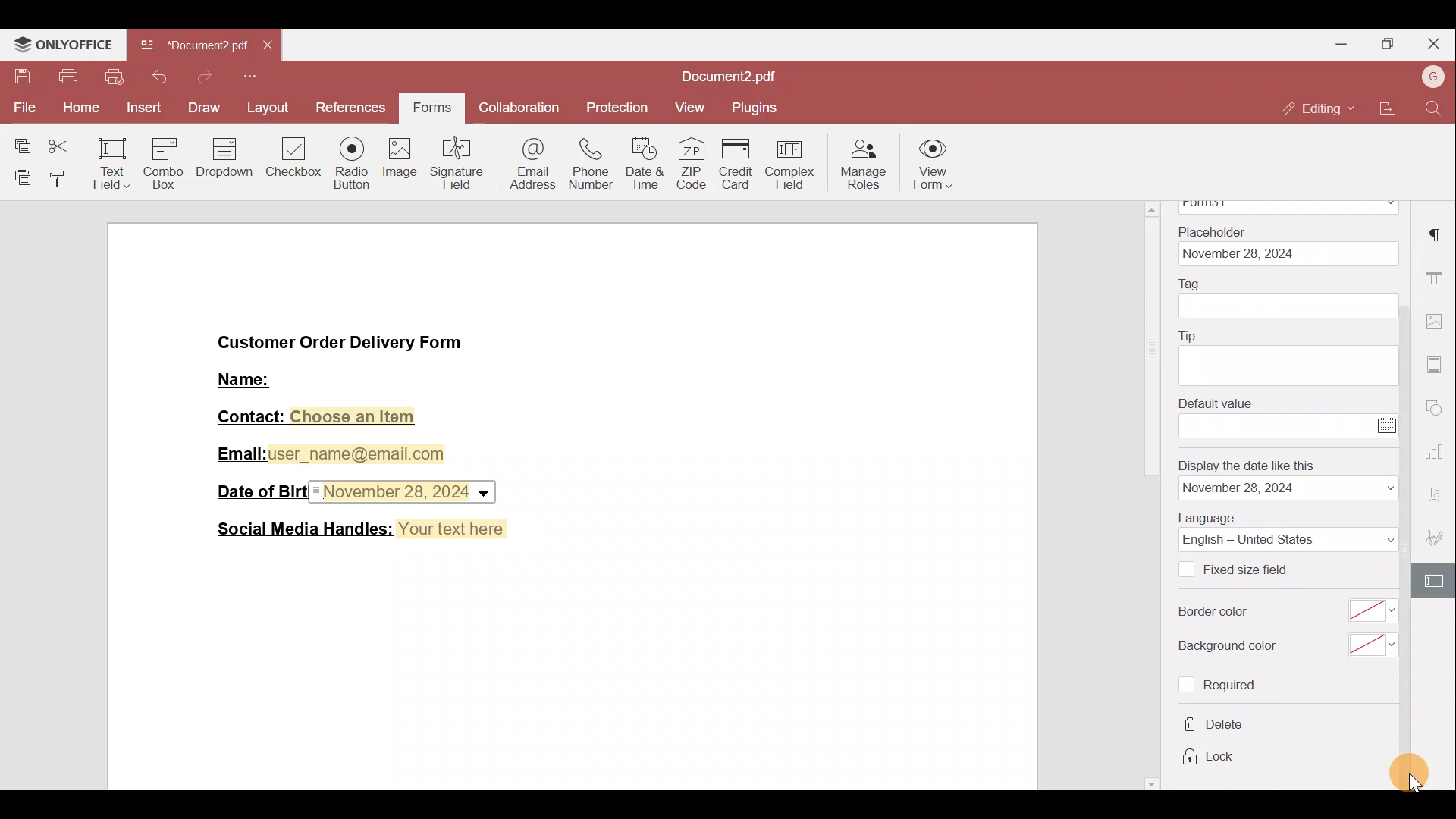 Image resolution: width=1456 pixels, height=819 pixels. Describe the element at coordinates (720, 77) in the screenshot. I see `Document2.pdf` at that location.